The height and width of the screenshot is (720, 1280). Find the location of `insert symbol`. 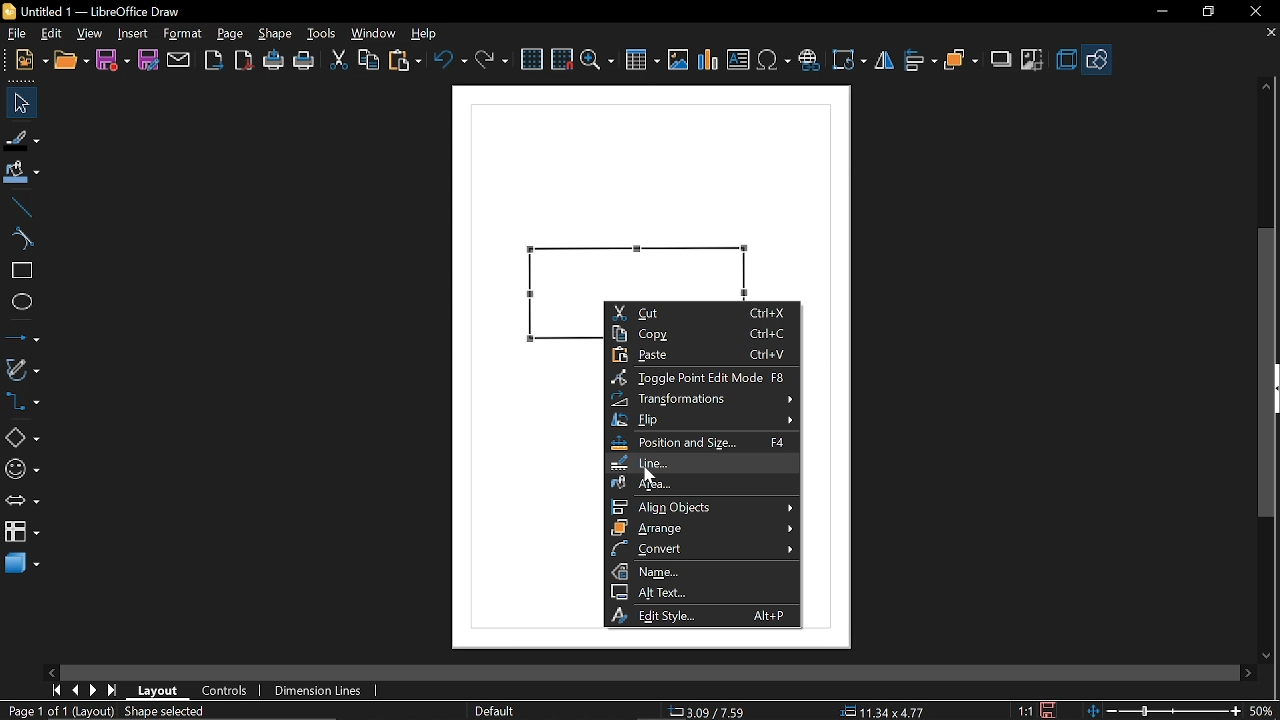

insert symbol is located at coordinates (774, 59).